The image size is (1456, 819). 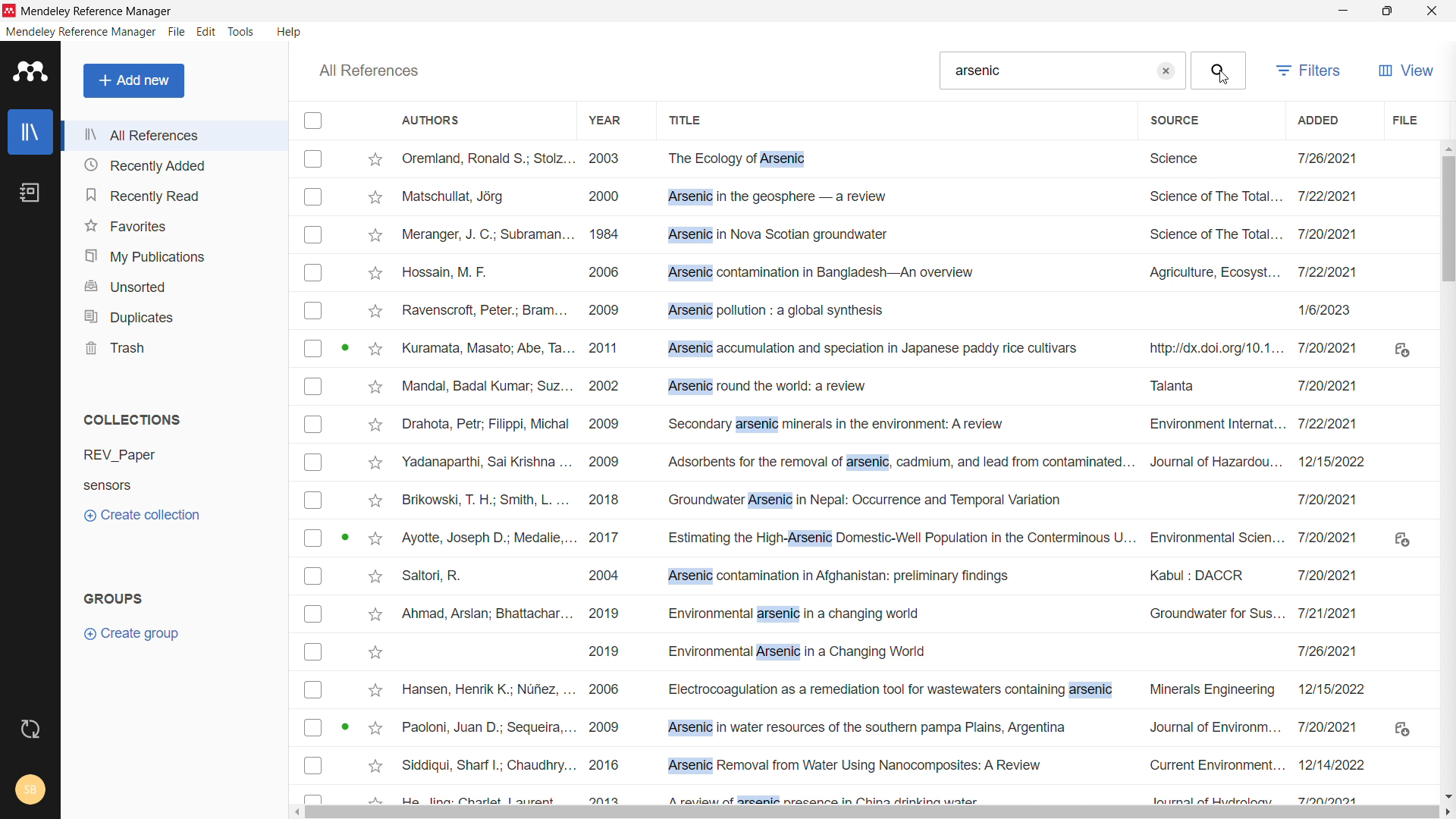 What do you see at coordinates (174, 136) in the screenshot?
I see `all references` at bounding box center [174, 136].